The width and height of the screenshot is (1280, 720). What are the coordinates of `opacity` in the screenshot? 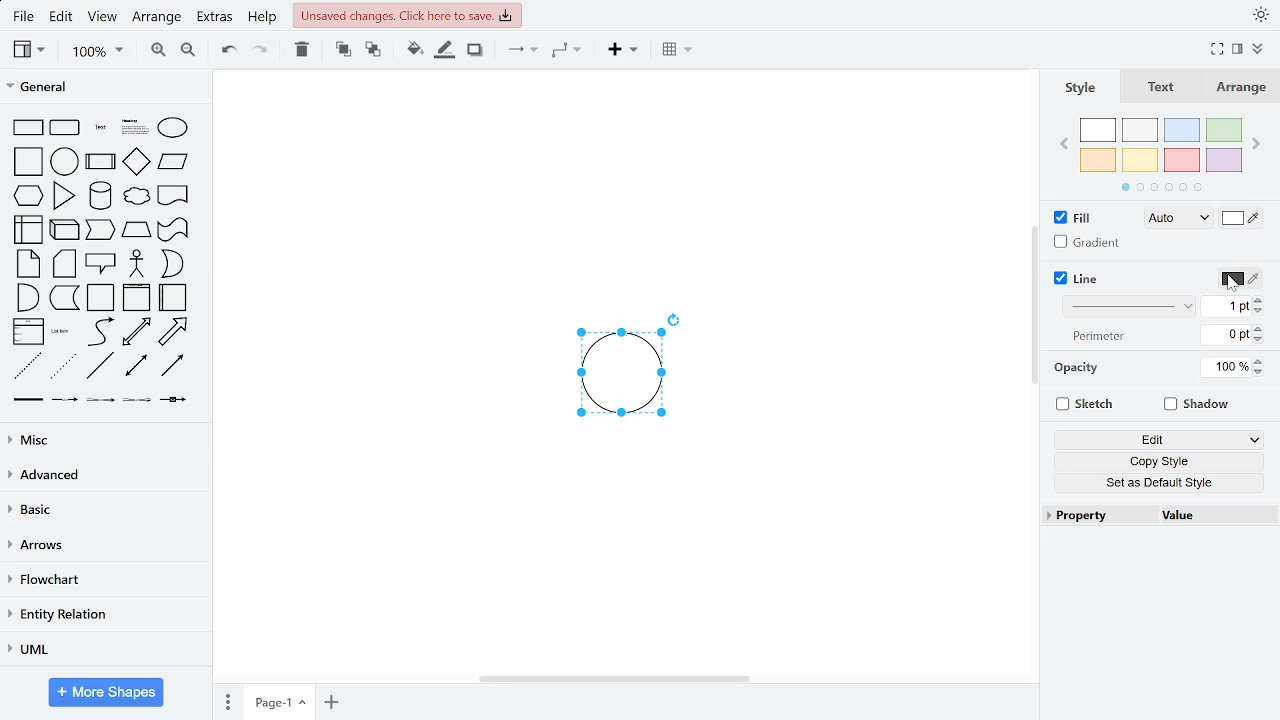 It's located at (1076, 367).